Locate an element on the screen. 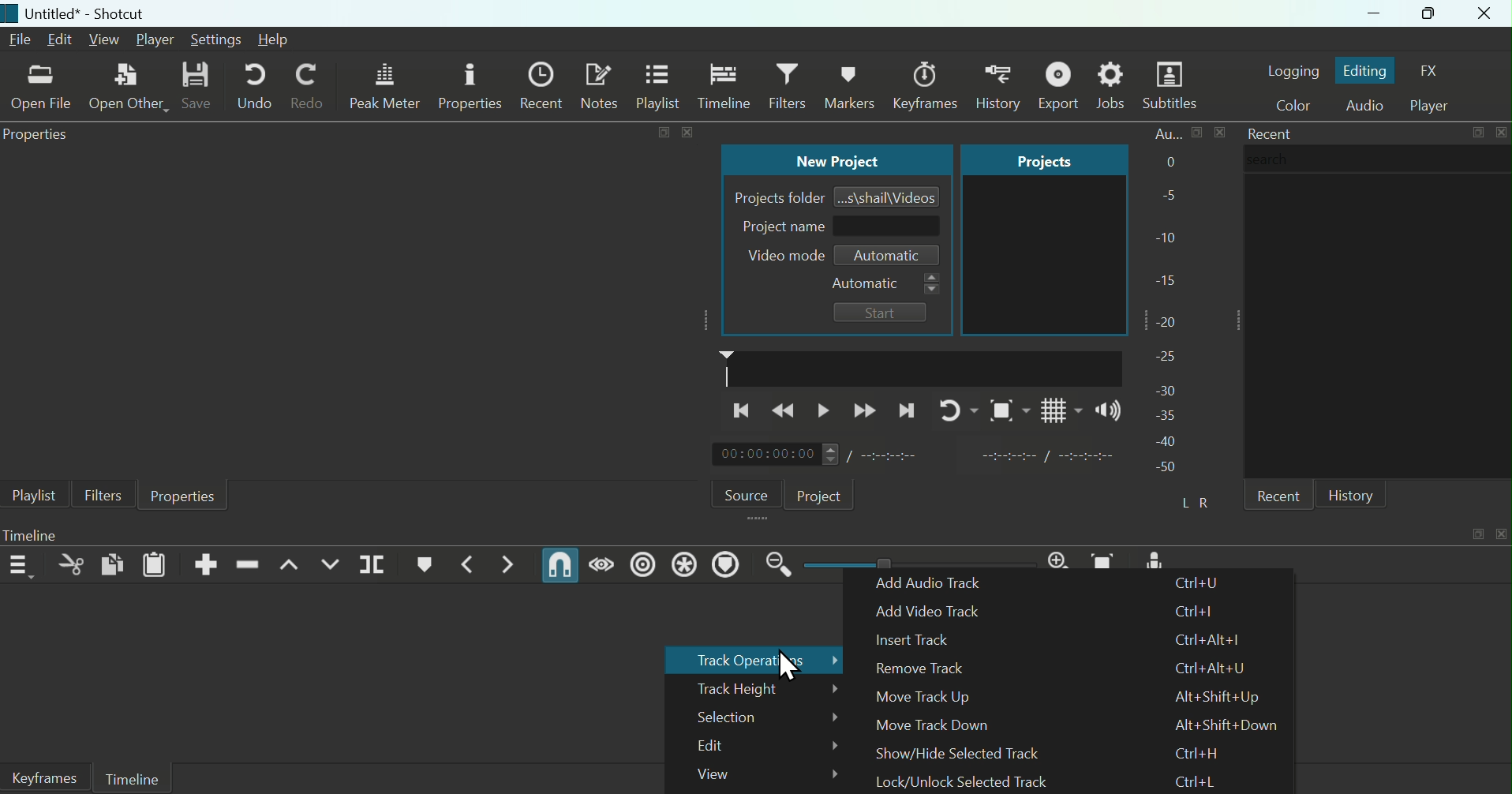 The height and width of the screenshot is (794, 1512). expand is located at coordinates (663, 133).